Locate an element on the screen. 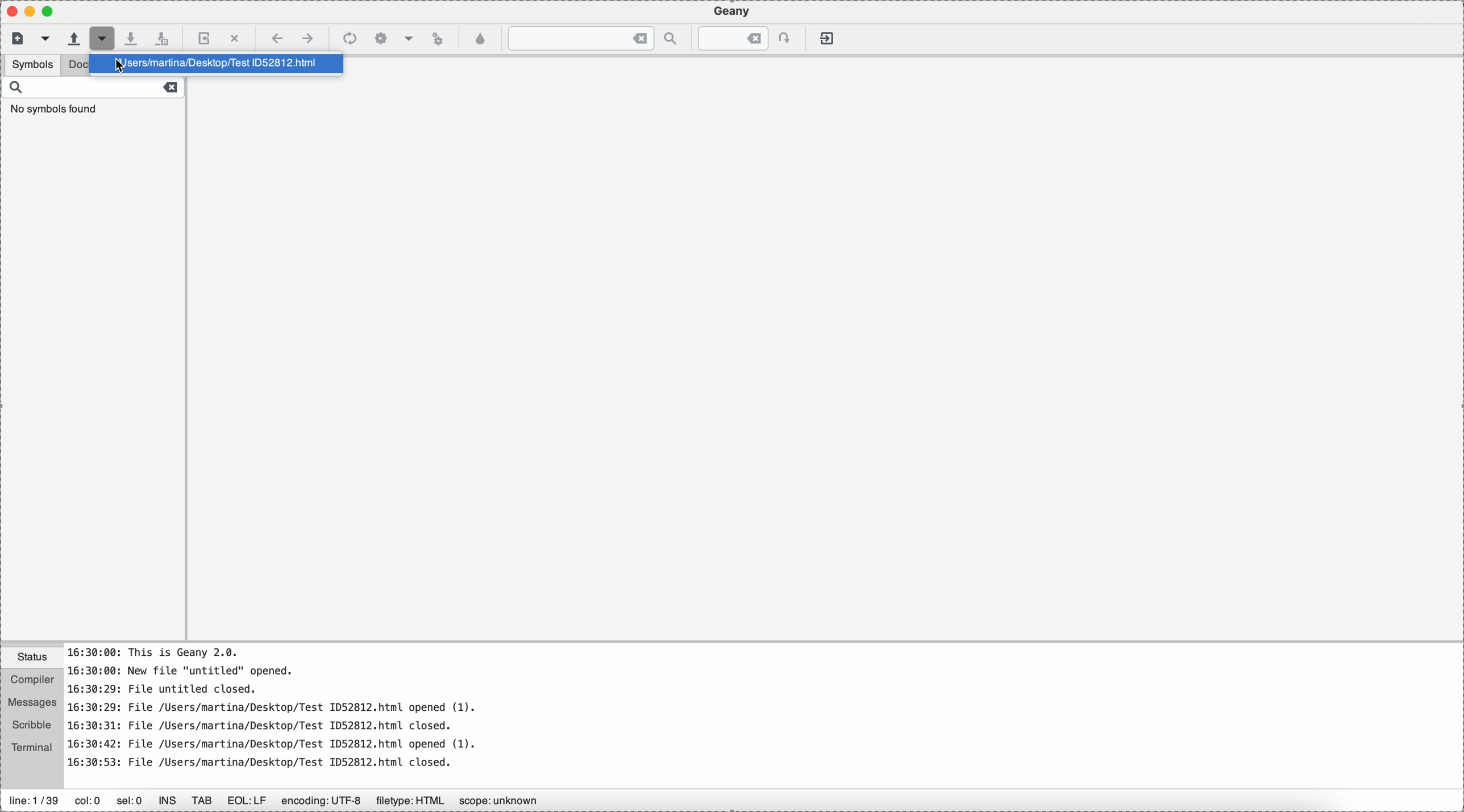  16:30:00 This is Geany 2.0. 16:30:00 New file "untitled" open. 16:30:29 file untitled closed is located at coordinates (658, 714).